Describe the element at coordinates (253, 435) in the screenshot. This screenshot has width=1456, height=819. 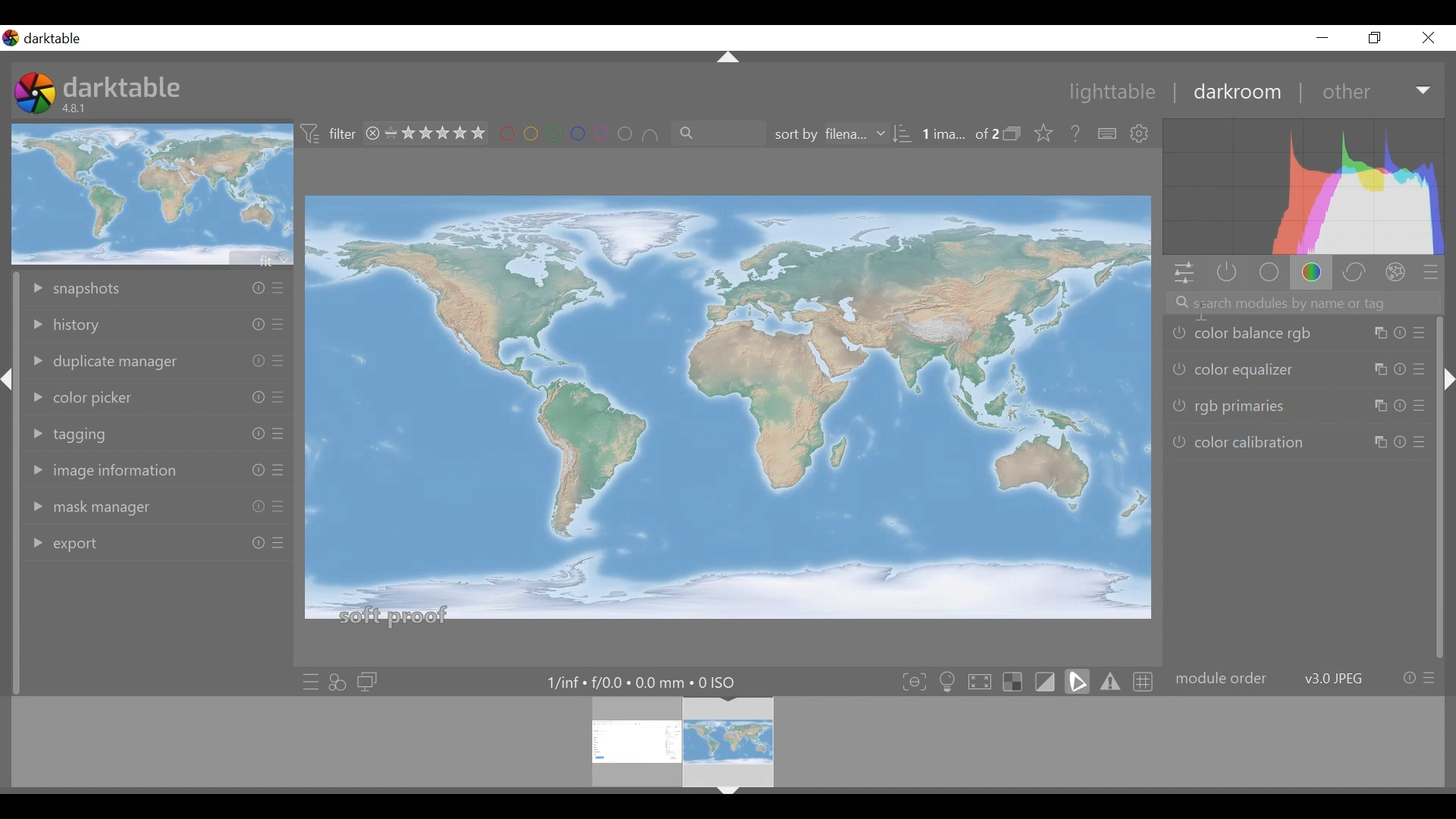
I see `` at that location.